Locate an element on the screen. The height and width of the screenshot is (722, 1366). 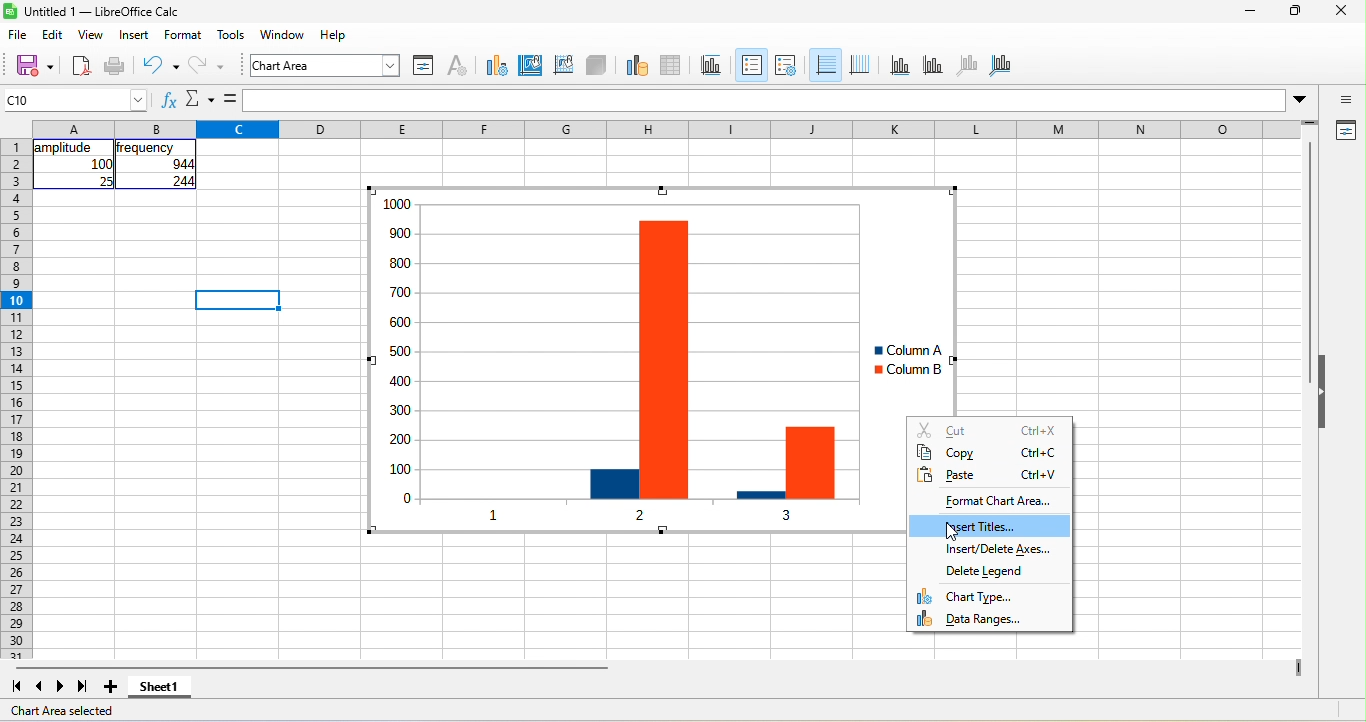
tools is located at coordinates (231, 34).